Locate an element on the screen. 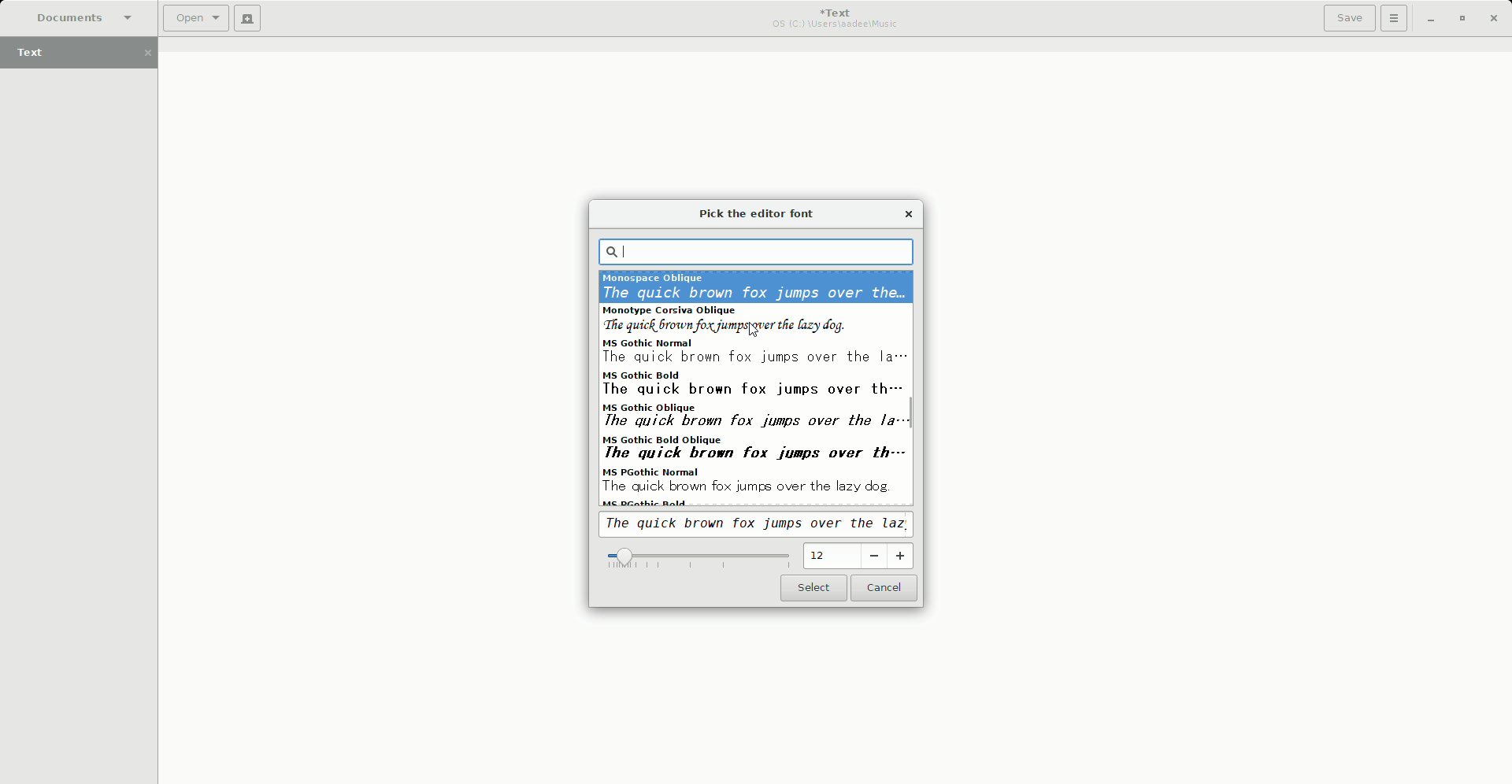 The height and width of the screenshot is (784, 1512). Documents is located at coordinates (77, 17).